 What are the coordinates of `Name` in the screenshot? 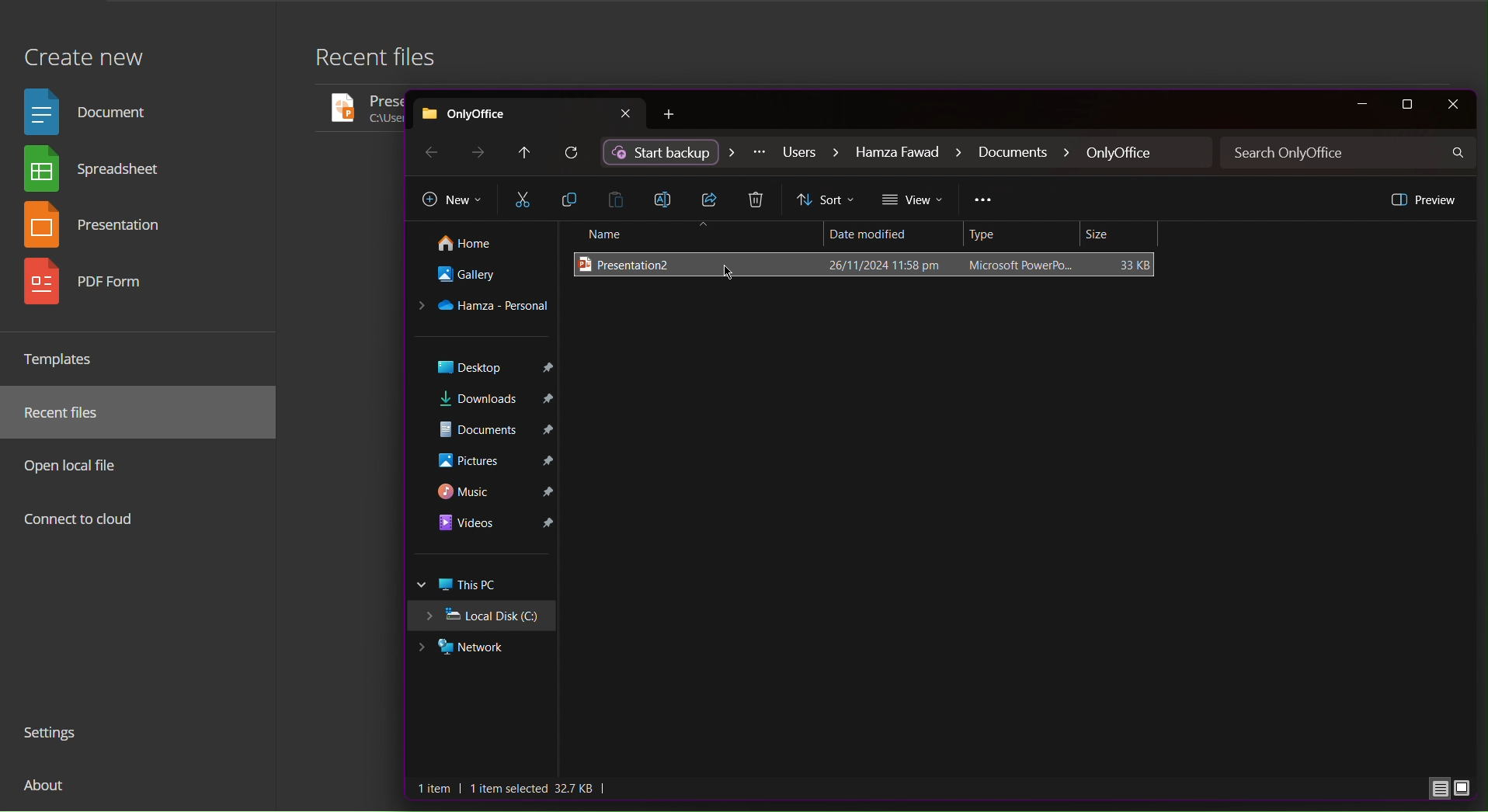 It's located at (694, 234).